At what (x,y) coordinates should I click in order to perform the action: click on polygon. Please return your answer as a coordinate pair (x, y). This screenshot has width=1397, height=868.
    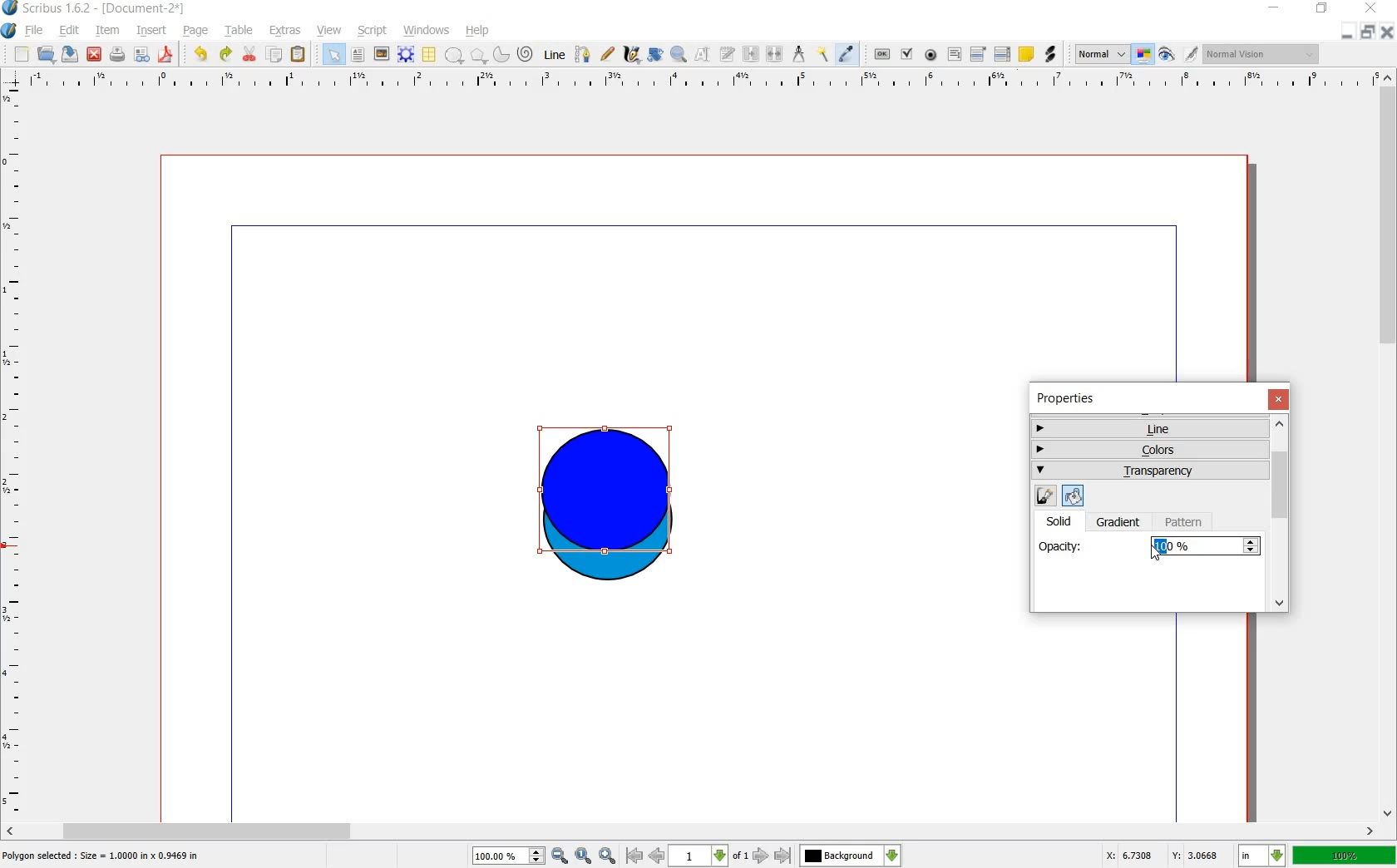
    Looking at the image, I should click on (477, 56).